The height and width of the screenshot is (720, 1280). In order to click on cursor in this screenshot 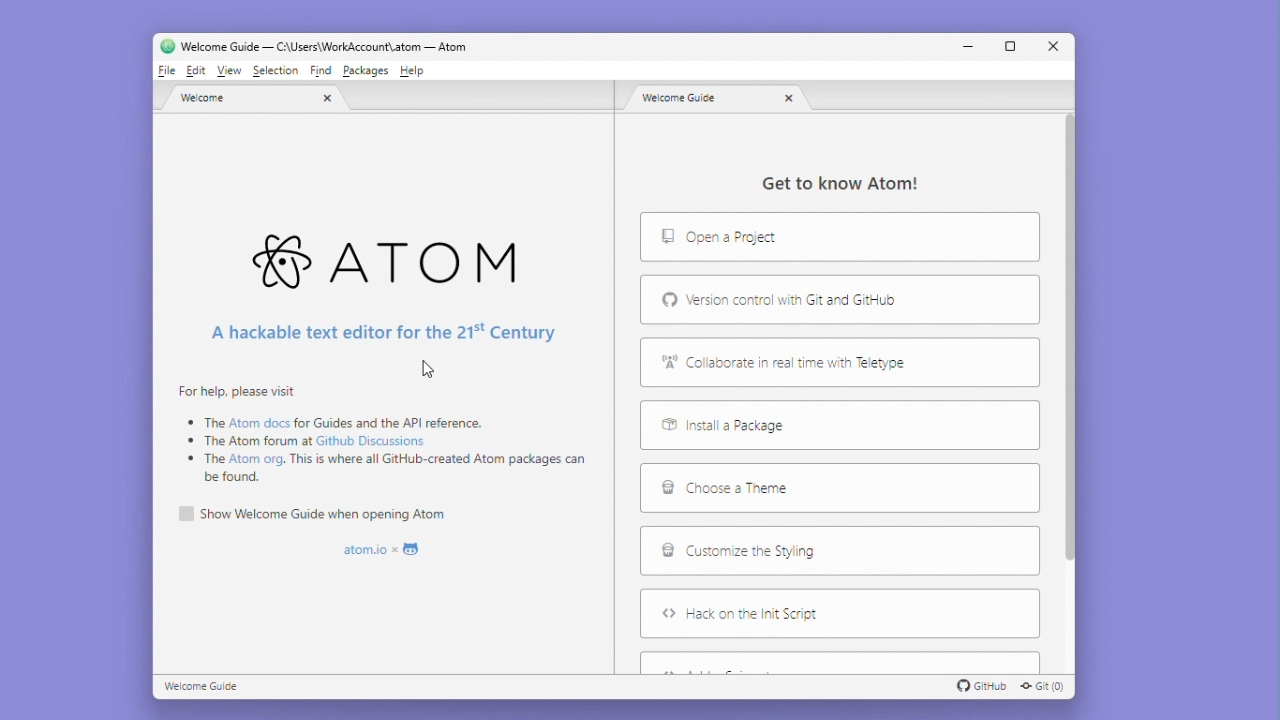, I will do `click(431, 370)`.